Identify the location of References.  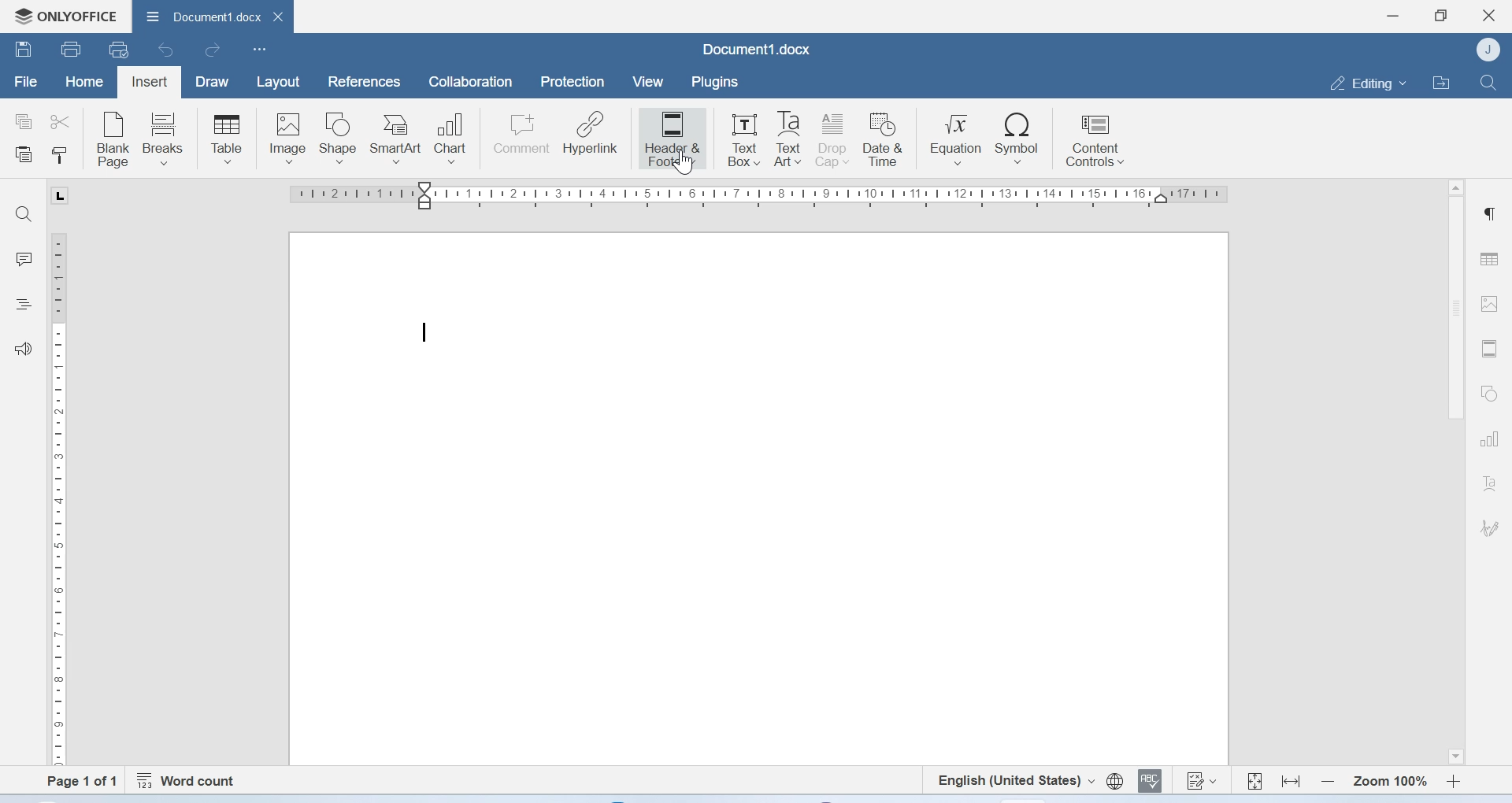
(361, 81).